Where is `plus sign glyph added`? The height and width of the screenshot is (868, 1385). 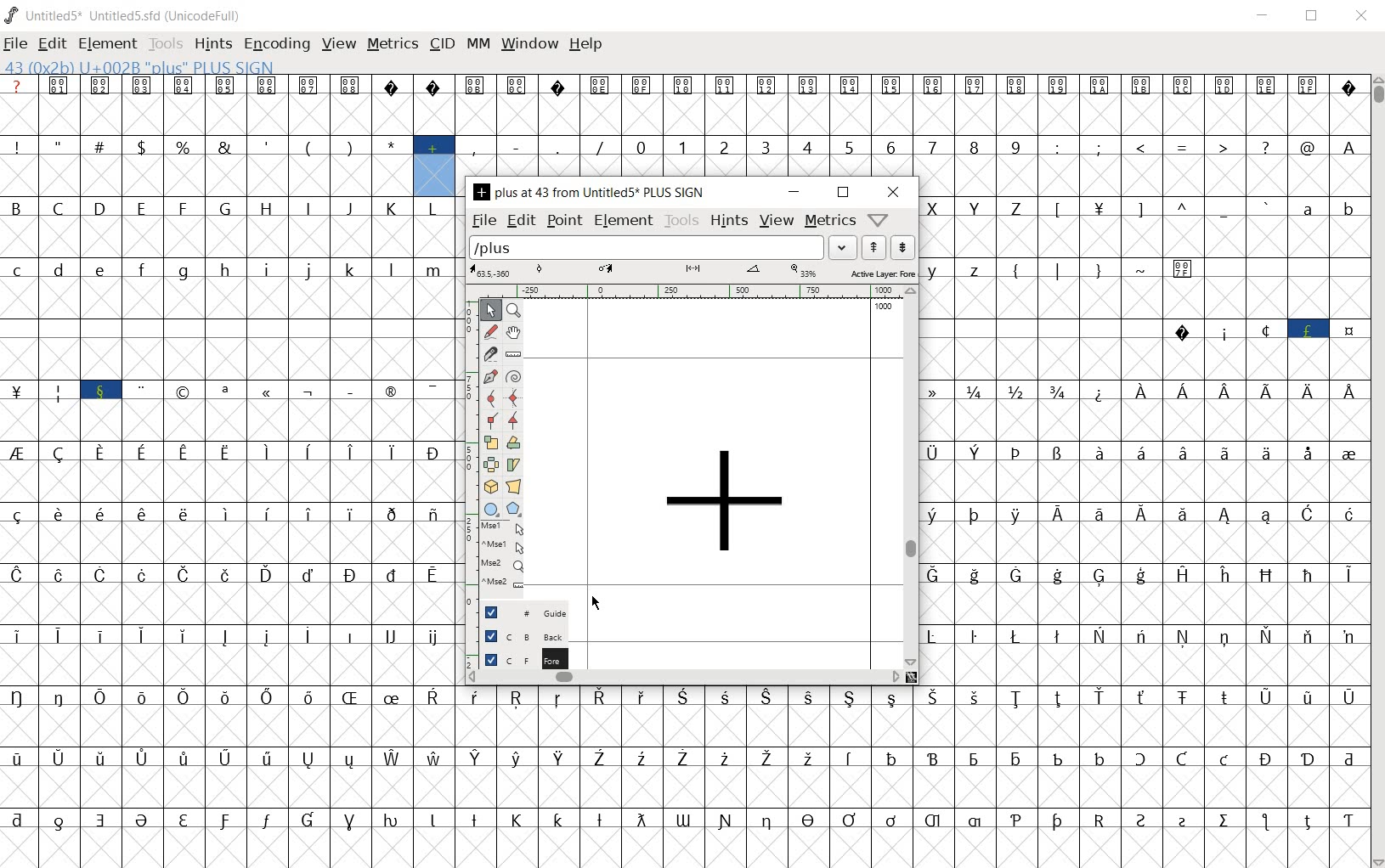
plus sign glyph added is located at coordinates (727, 508).